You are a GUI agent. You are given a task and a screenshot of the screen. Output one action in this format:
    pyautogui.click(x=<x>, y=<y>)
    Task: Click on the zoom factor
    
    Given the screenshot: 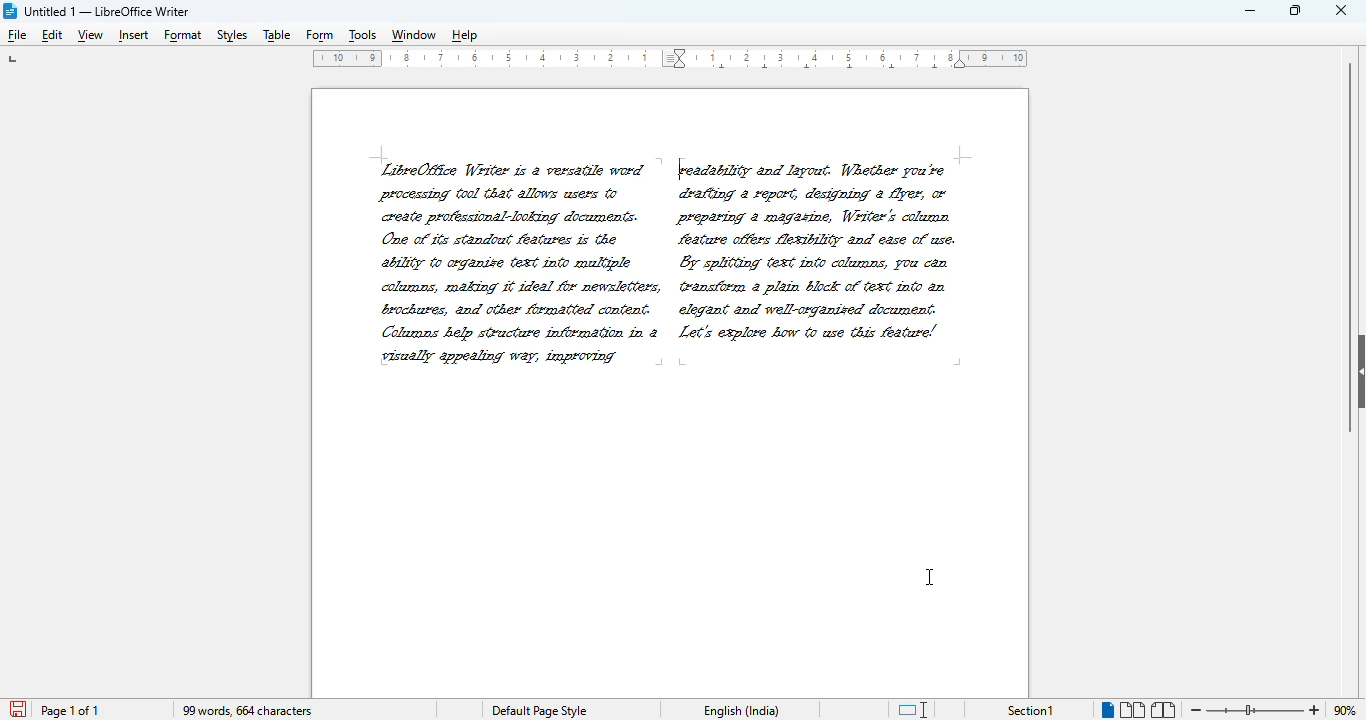 What is the action you would take?
    pyautogui.click(x=1346, y=710)
    